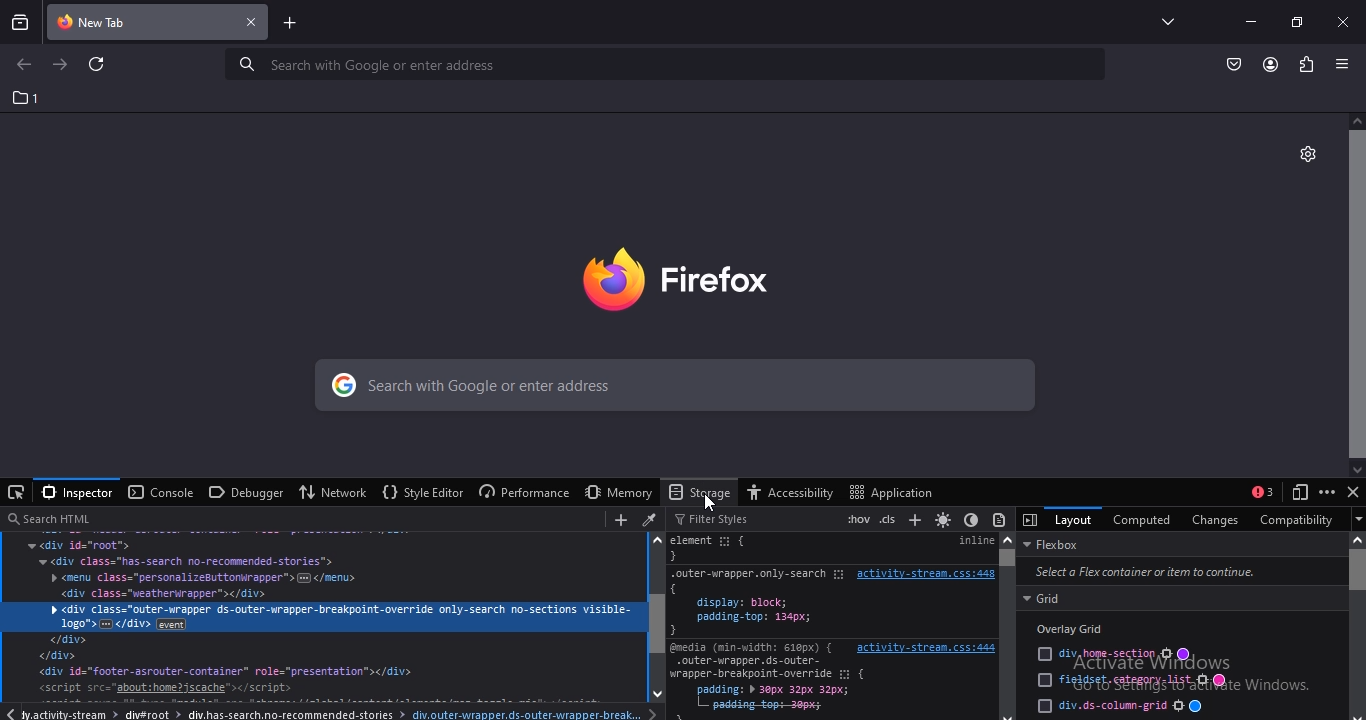  Describe the element at coordinates (291, 25) in the screenshot. I see `new tab` at that location.